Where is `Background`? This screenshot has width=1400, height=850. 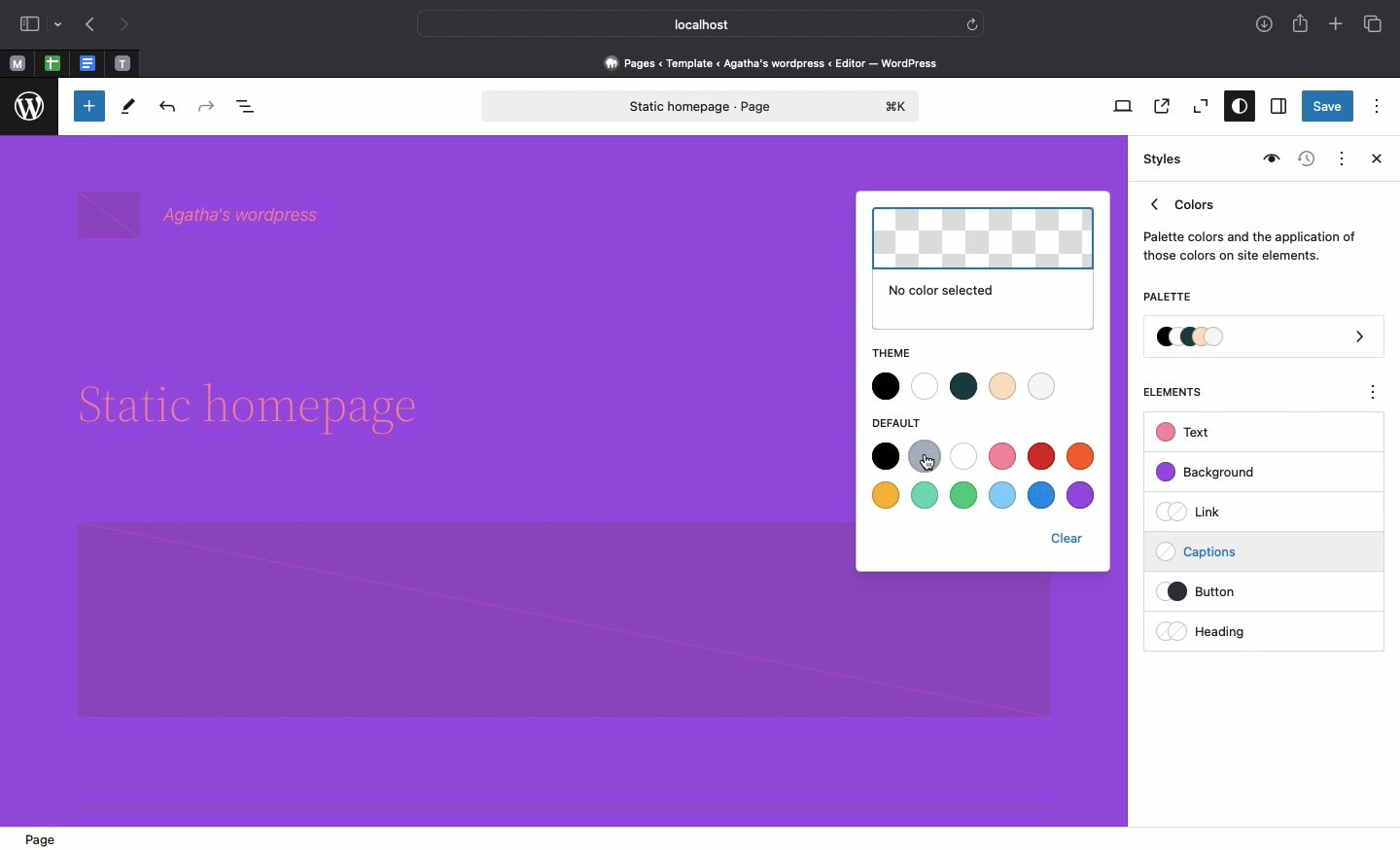 Background is located at coordinates (1215, 473).